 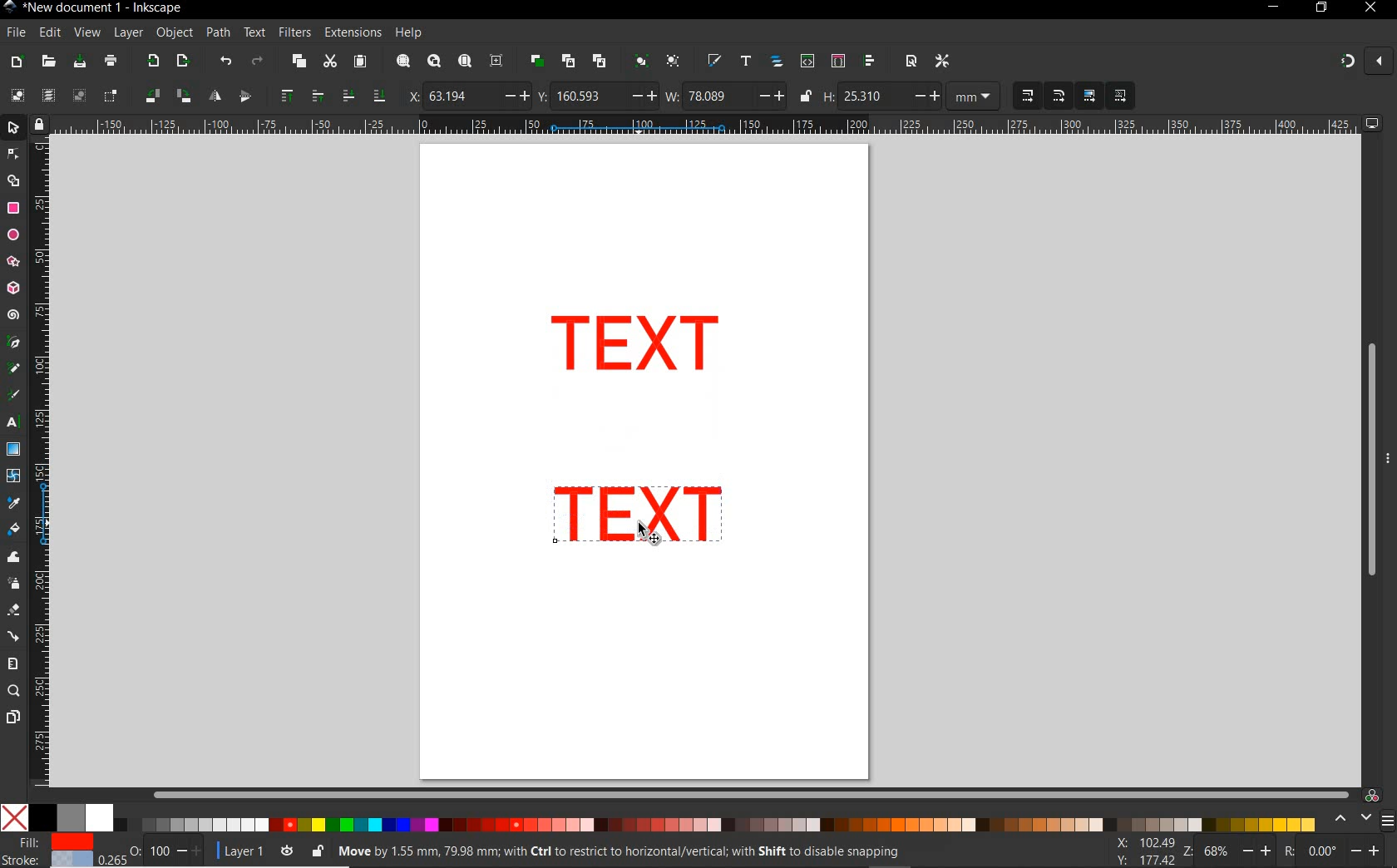 What do you see at coordinates (596, 61) in the screenshot?
I see `unlink code` at bounding box center [596, 61].